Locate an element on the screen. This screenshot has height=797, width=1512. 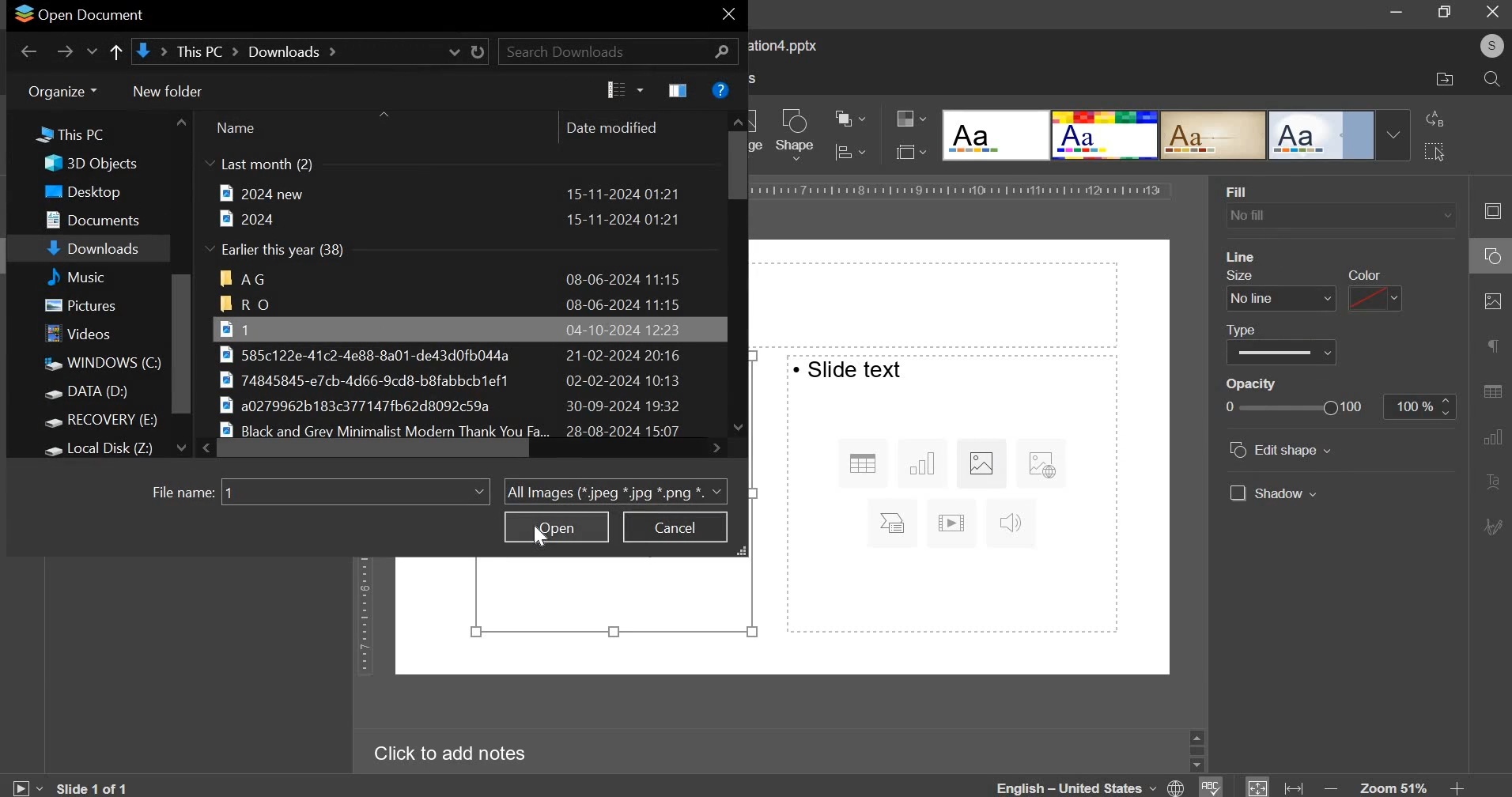
fit to window is located at coordinates (1258, 788).